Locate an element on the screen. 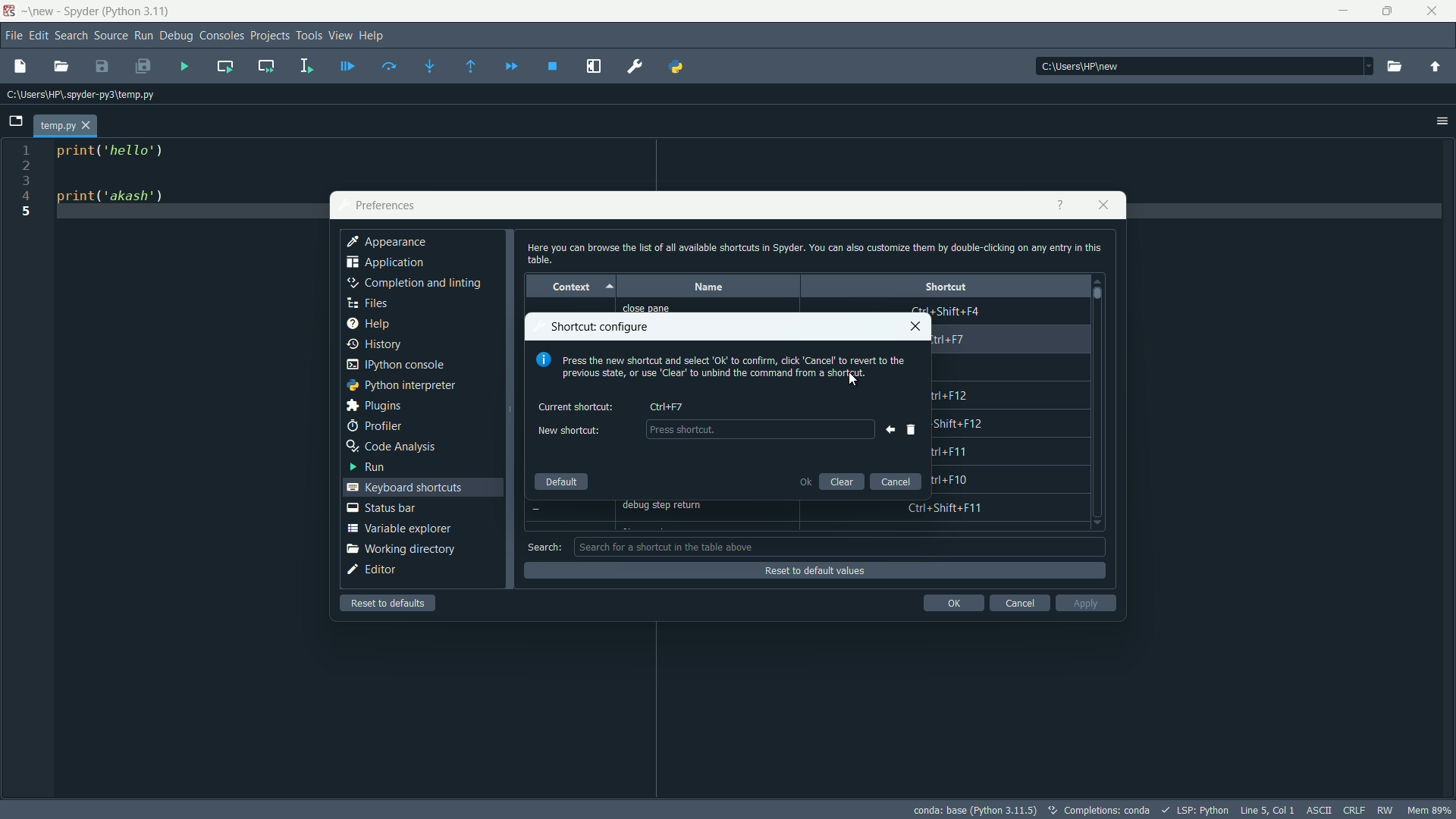  new shortcut is located at coordinates (566, 431).